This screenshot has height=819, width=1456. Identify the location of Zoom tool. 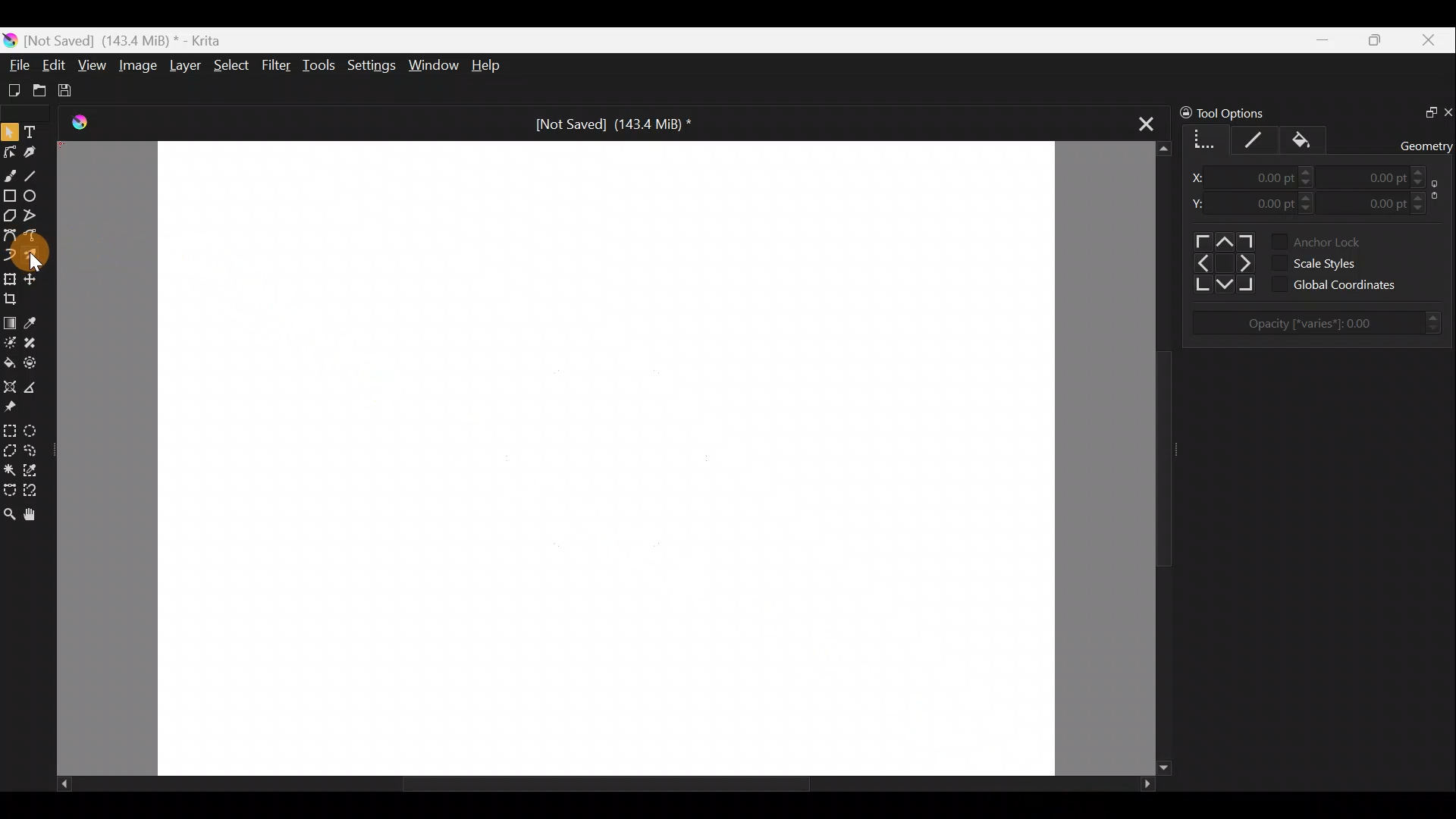
(9, 516).